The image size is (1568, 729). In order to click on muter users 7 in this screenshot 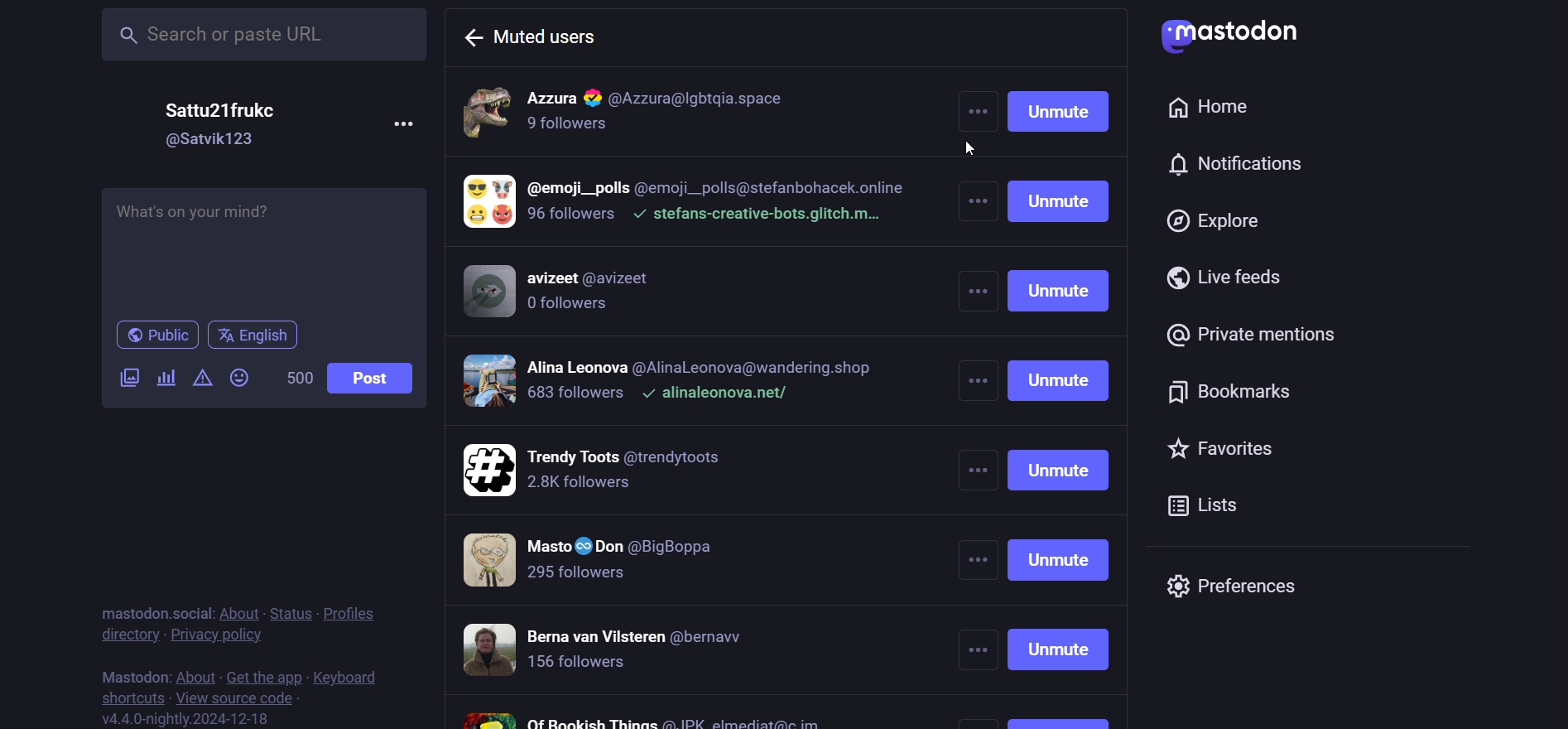, I will do `click(634, 650)`.